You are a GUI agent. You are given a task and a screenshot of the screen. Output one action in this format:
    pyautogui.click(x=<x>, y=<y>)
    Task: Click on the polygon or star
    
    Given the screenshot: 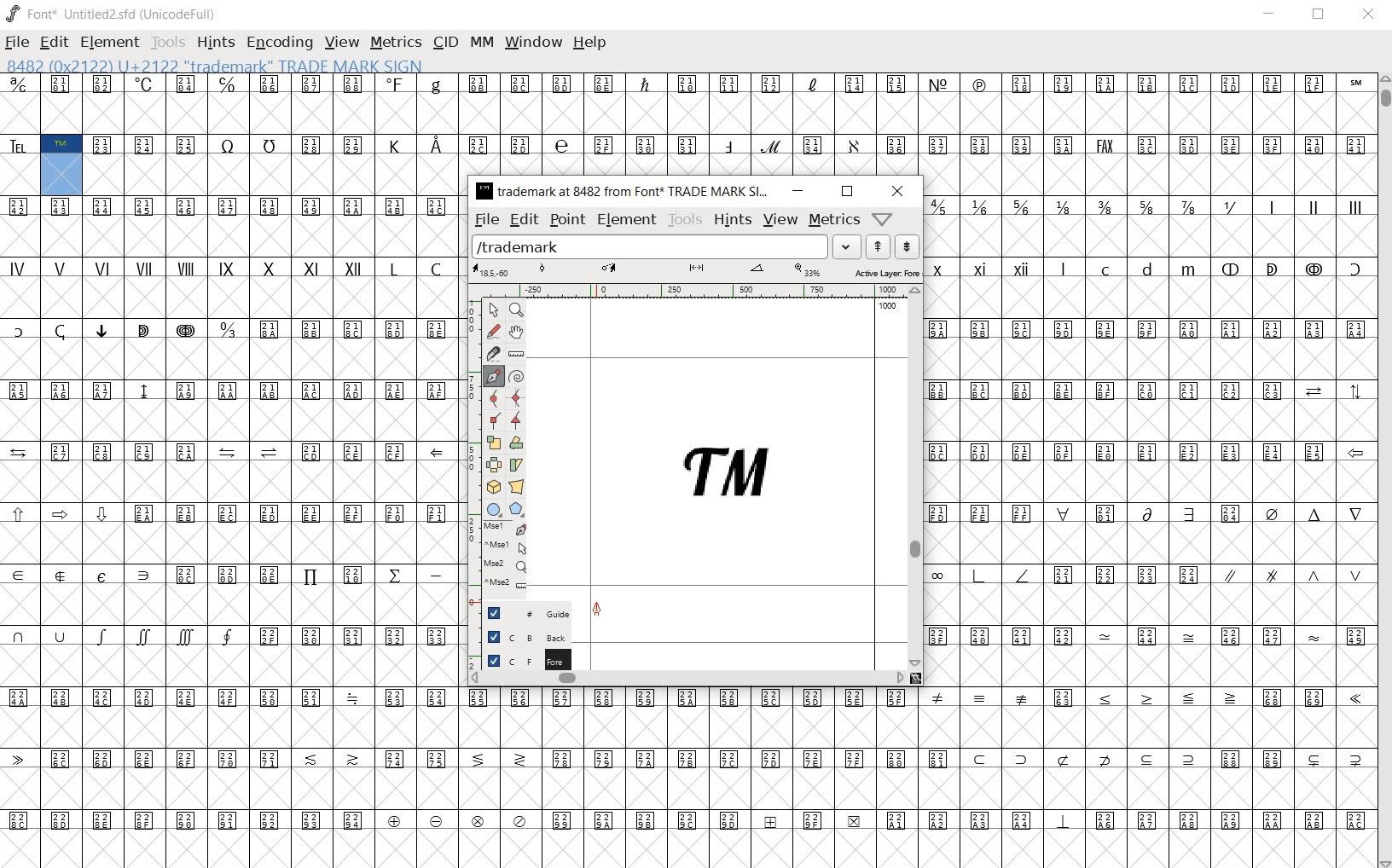 What is the action you would take?
    pyautogui.click(x=518, y=508)
    